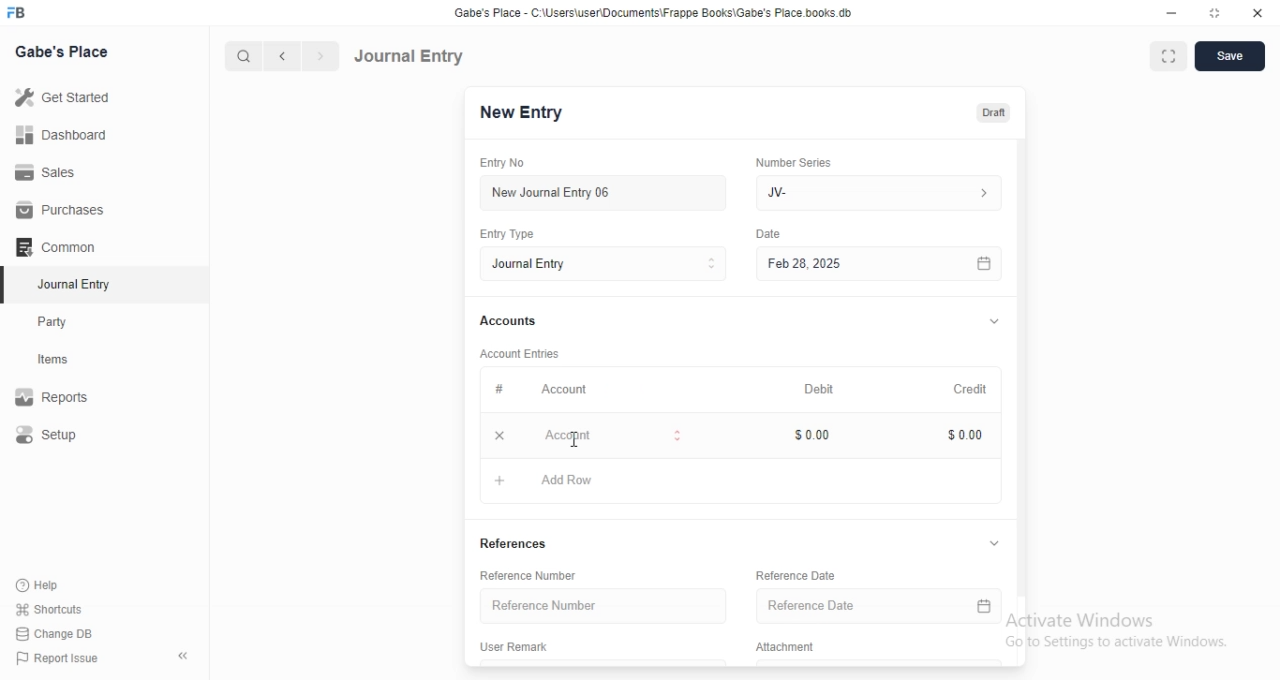 The width and height of the screenshot is (1280, 680). What do you see at coordinates (993, 323) in the screenshot?
I see `collapse` at bounding box center [993, 323].